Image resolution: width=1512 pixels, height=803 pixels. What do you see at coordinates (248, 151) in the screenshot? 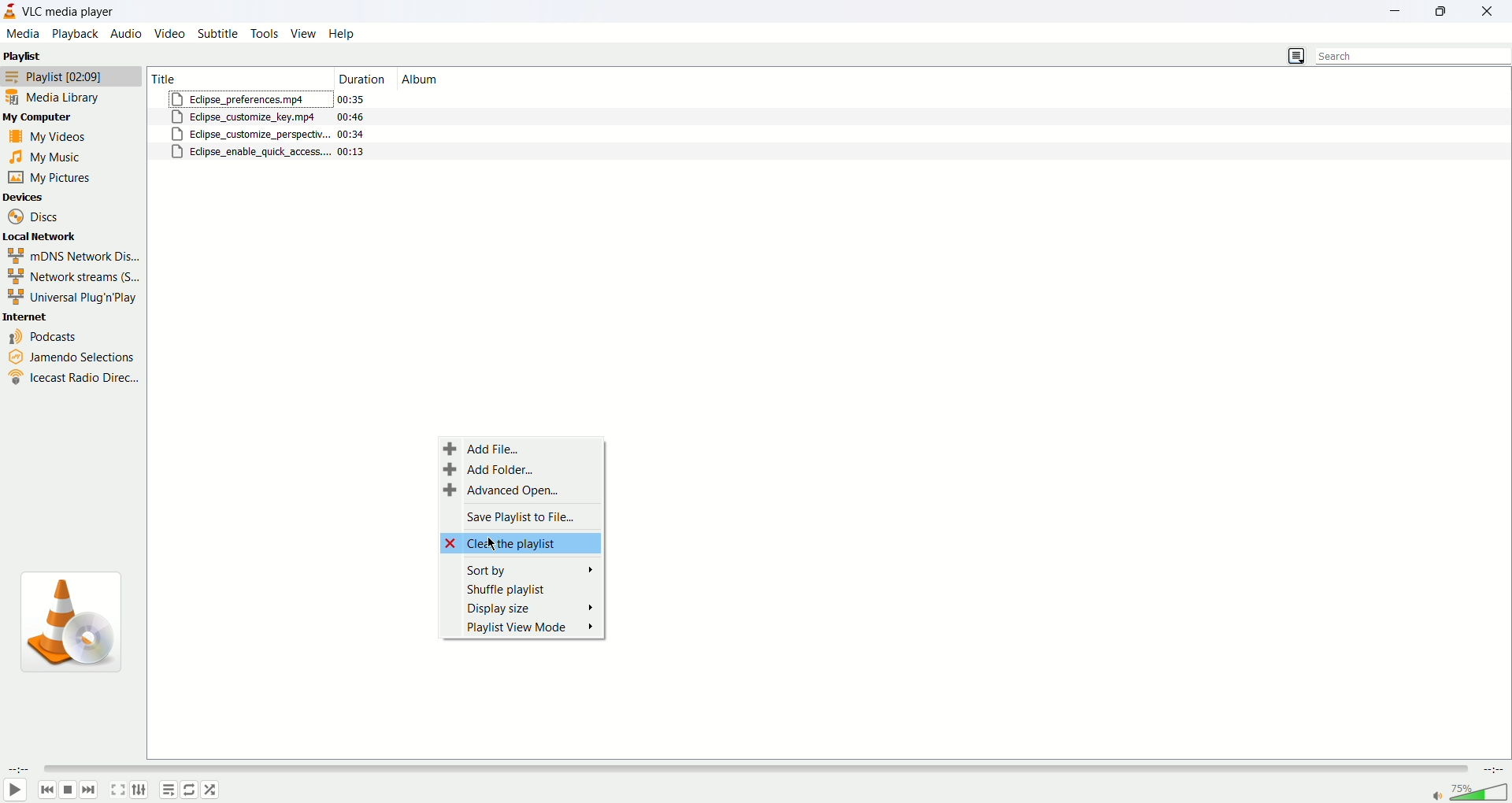
I see `eclipse_enable_quick_access` at bounding box center [248, 151].